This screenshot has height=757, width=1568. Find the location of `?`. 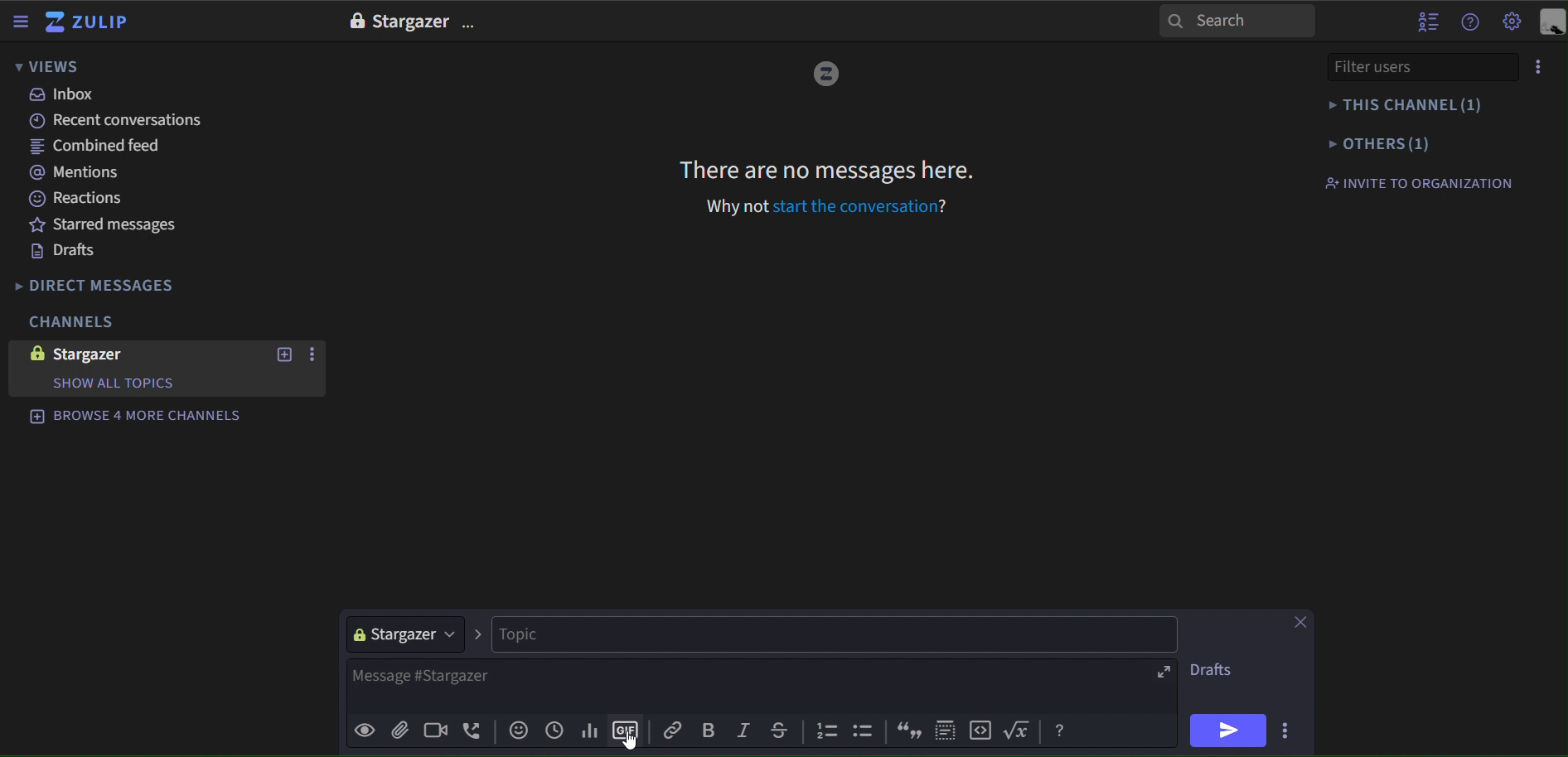

? is located at coordinates (948, 205).